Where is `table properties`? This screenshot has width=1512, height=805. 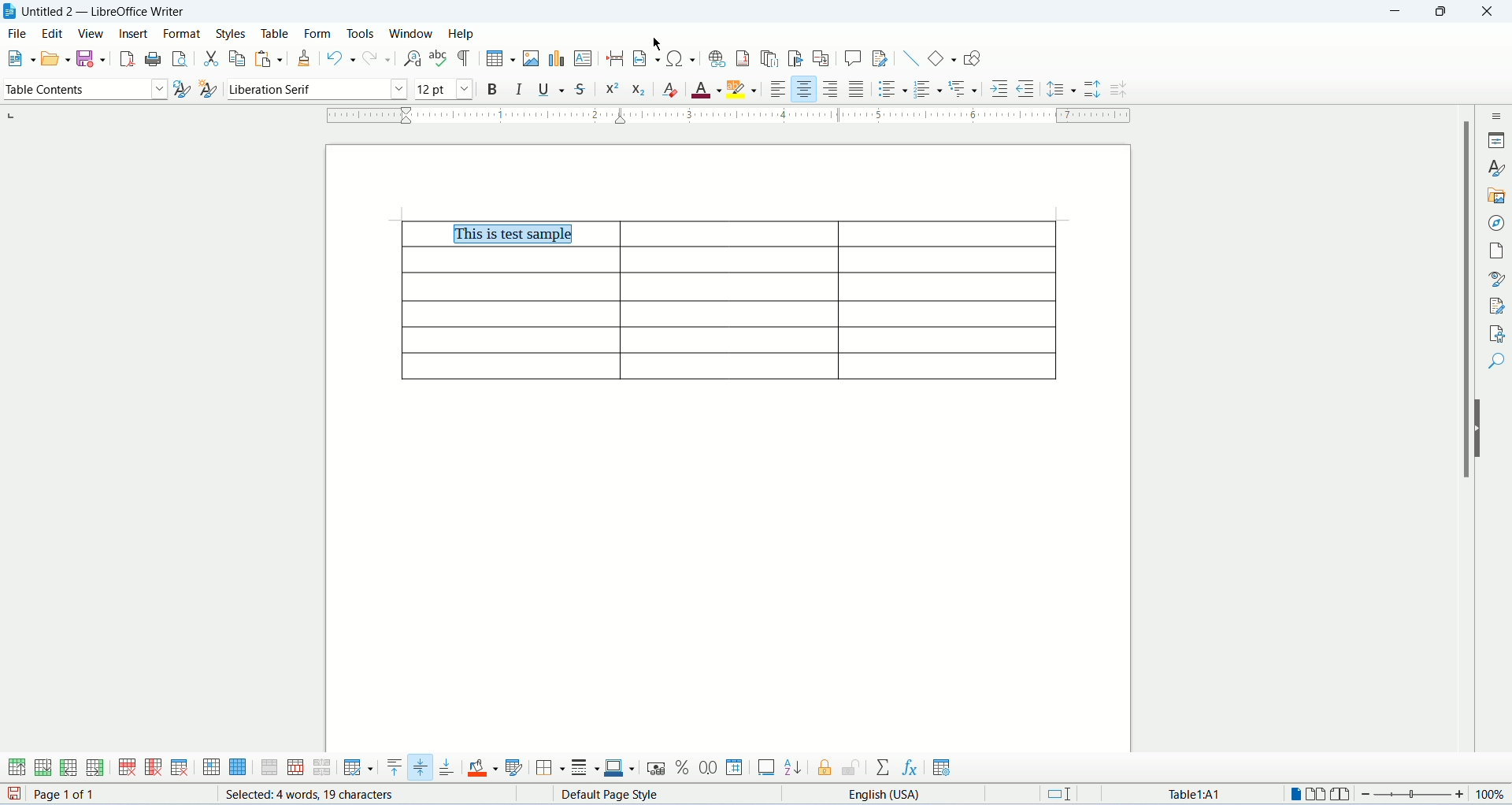 table properties is located at coordinates (941, 768).